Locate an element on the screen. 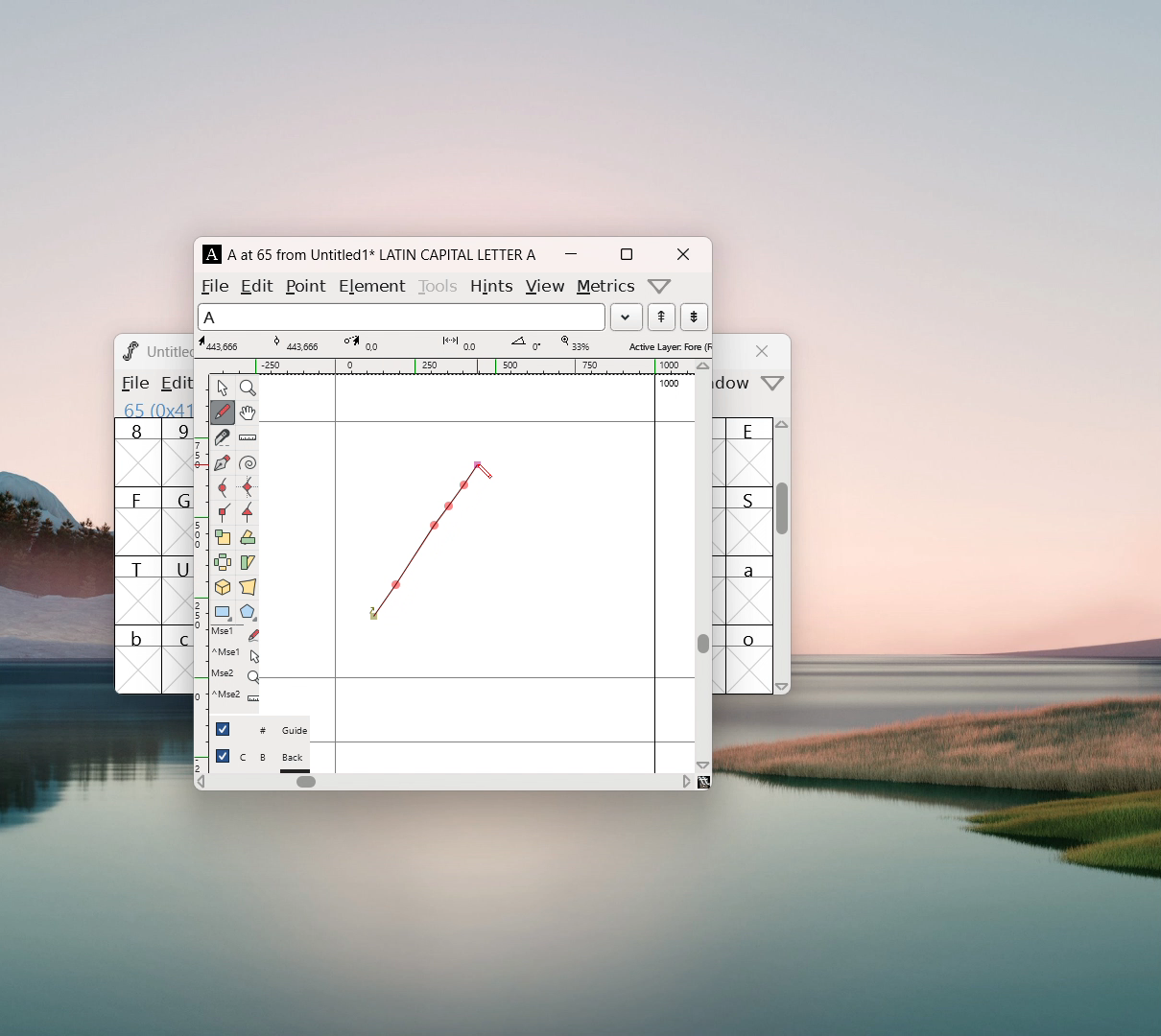  maximum ascent line is located at coordinates (477, 422).